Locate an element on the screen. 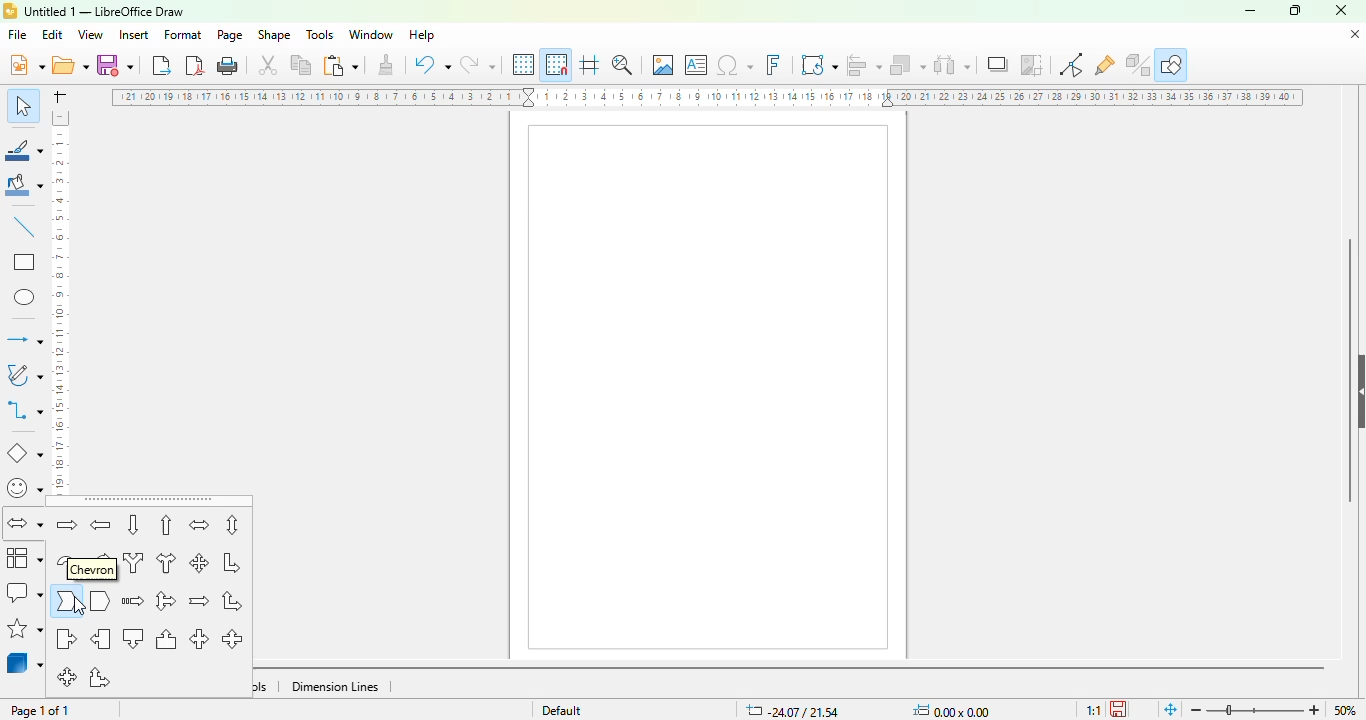  width and height of the object is located at coordinates (955, 710).